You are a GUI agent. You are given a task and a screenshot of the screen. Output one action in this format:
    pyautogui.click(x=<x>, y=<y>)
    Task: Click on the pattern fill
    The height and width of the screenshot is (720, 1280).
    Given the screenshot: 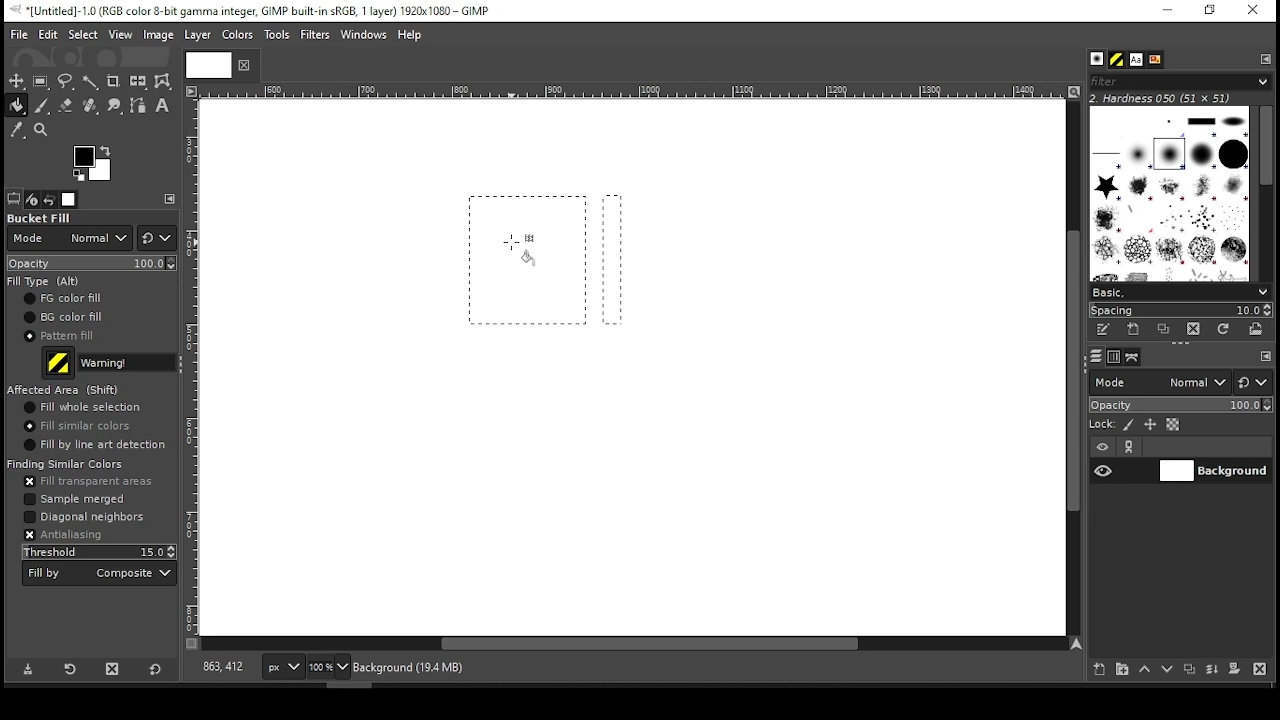 What is the action you would take?
    pyautogui.click(x=59, y=335)
    